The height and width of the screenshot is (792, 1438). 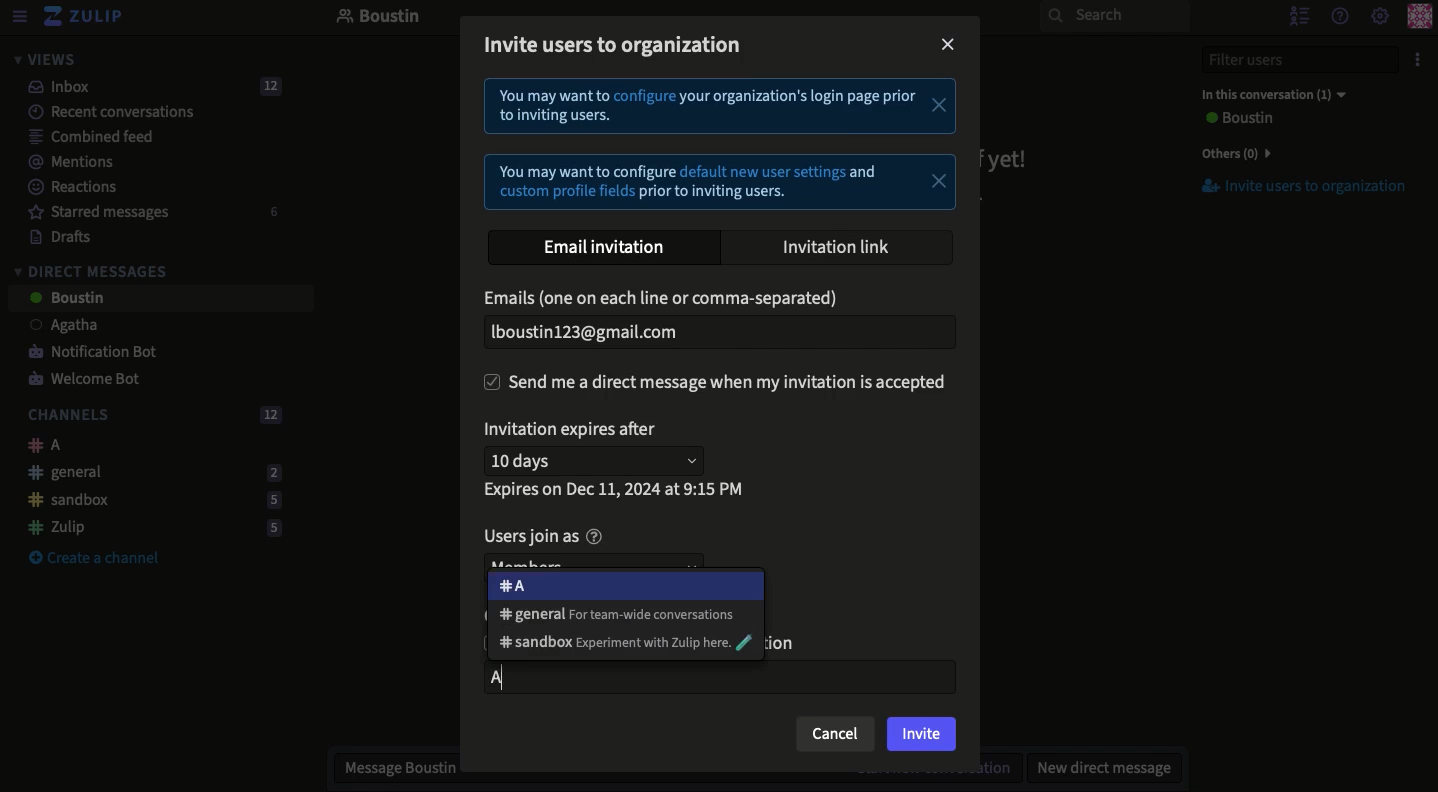 I want to click on Recent conversations, so click(x=99, y=111).